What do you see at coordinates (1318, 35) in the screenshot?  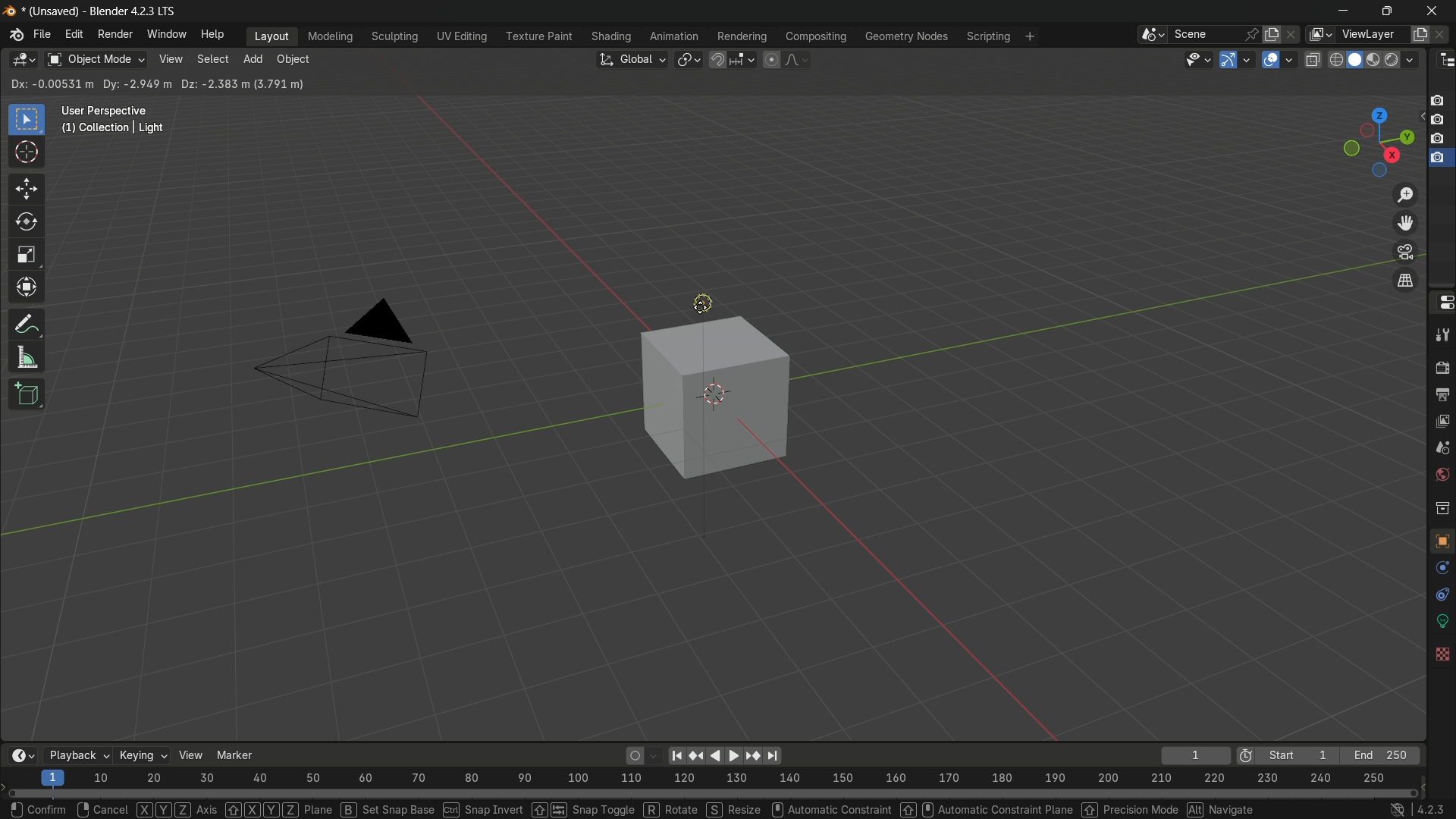 I see `active viewlayer` at bounding box center [1318, 35].